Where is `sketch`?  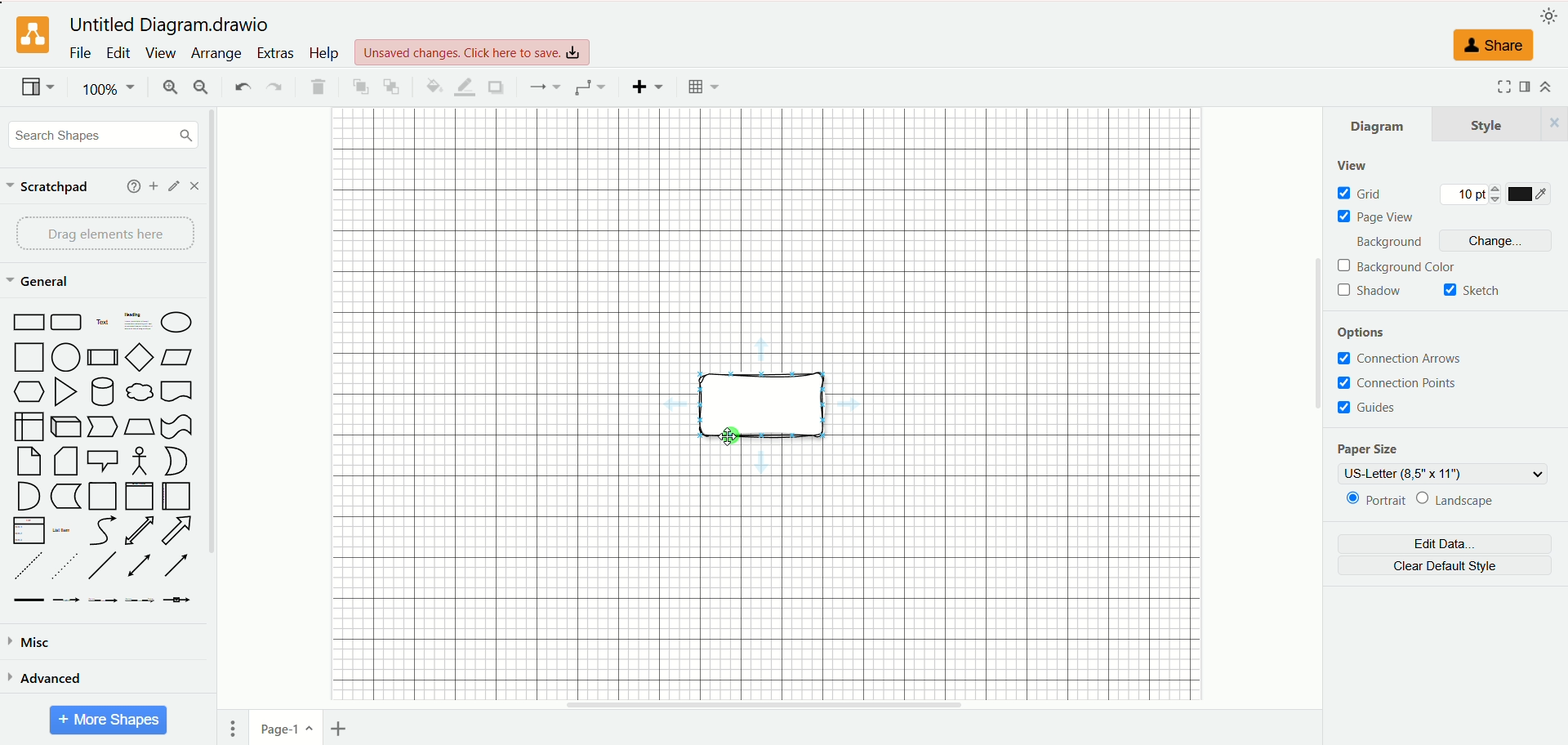 sketch is located at coordinates (1469, 290).